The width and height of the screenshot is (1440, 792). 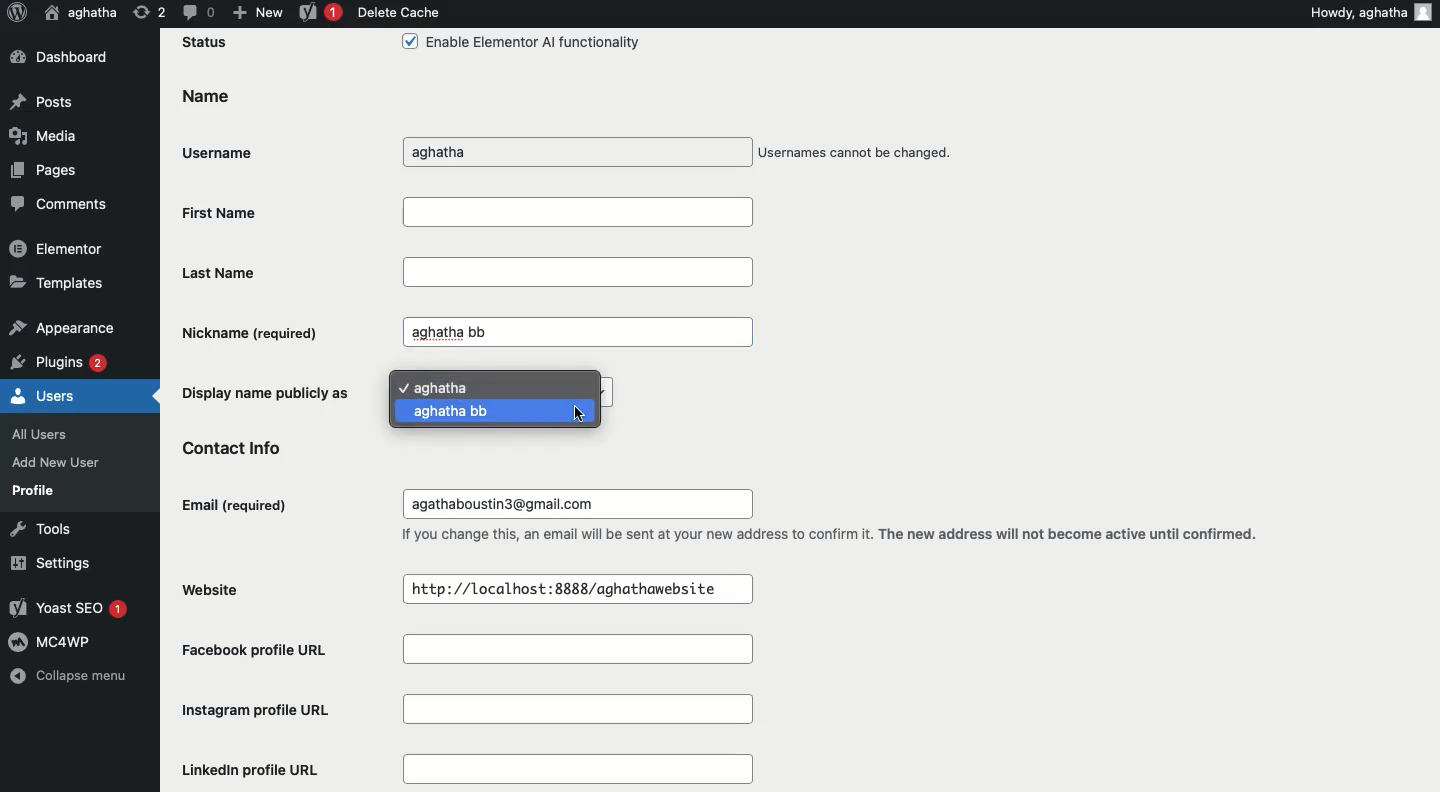 I want to click on Collapse menu, so click(x=69, y=677).